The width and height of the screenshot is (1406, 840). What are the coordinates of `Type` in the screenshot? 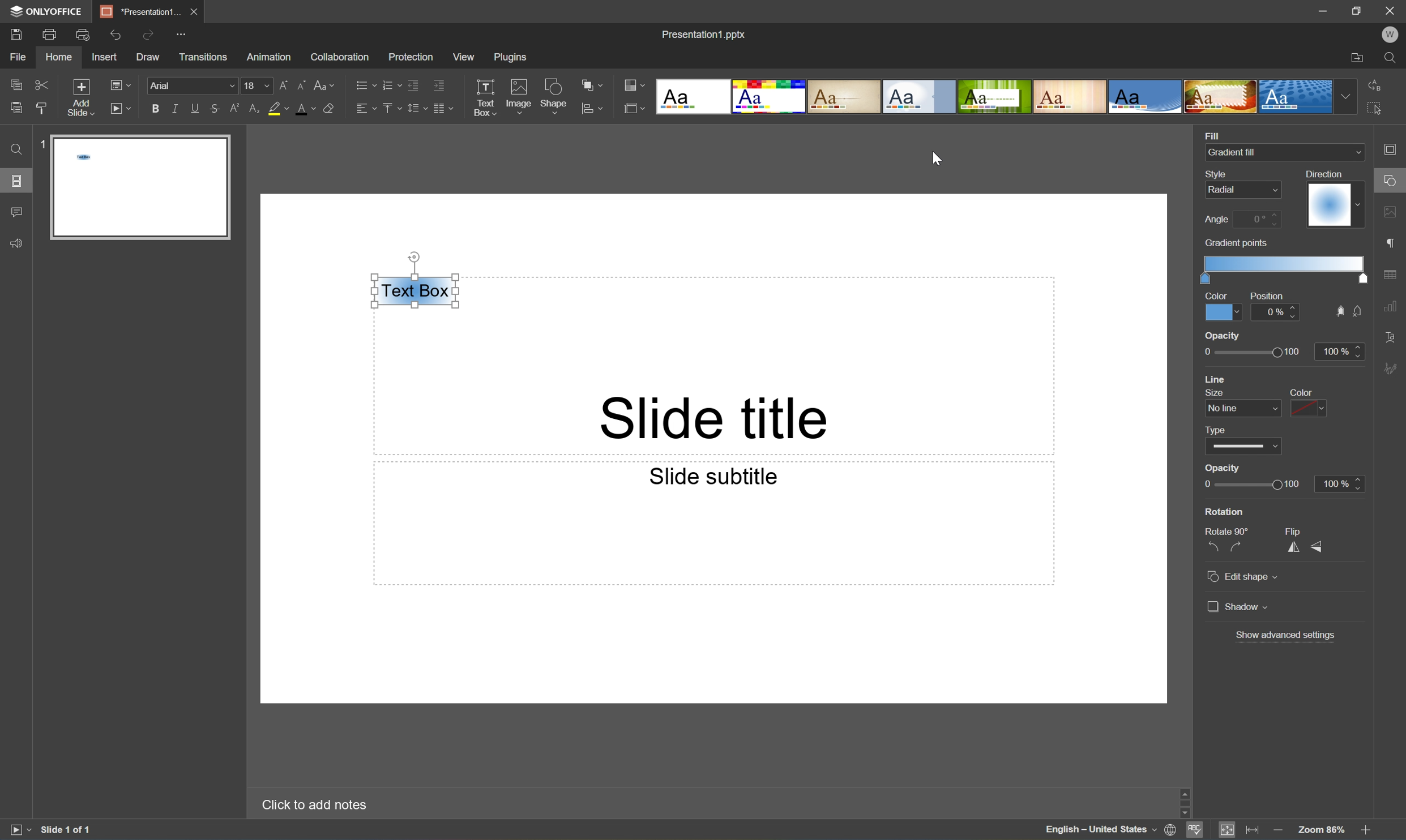 It's located at (1215, 430).